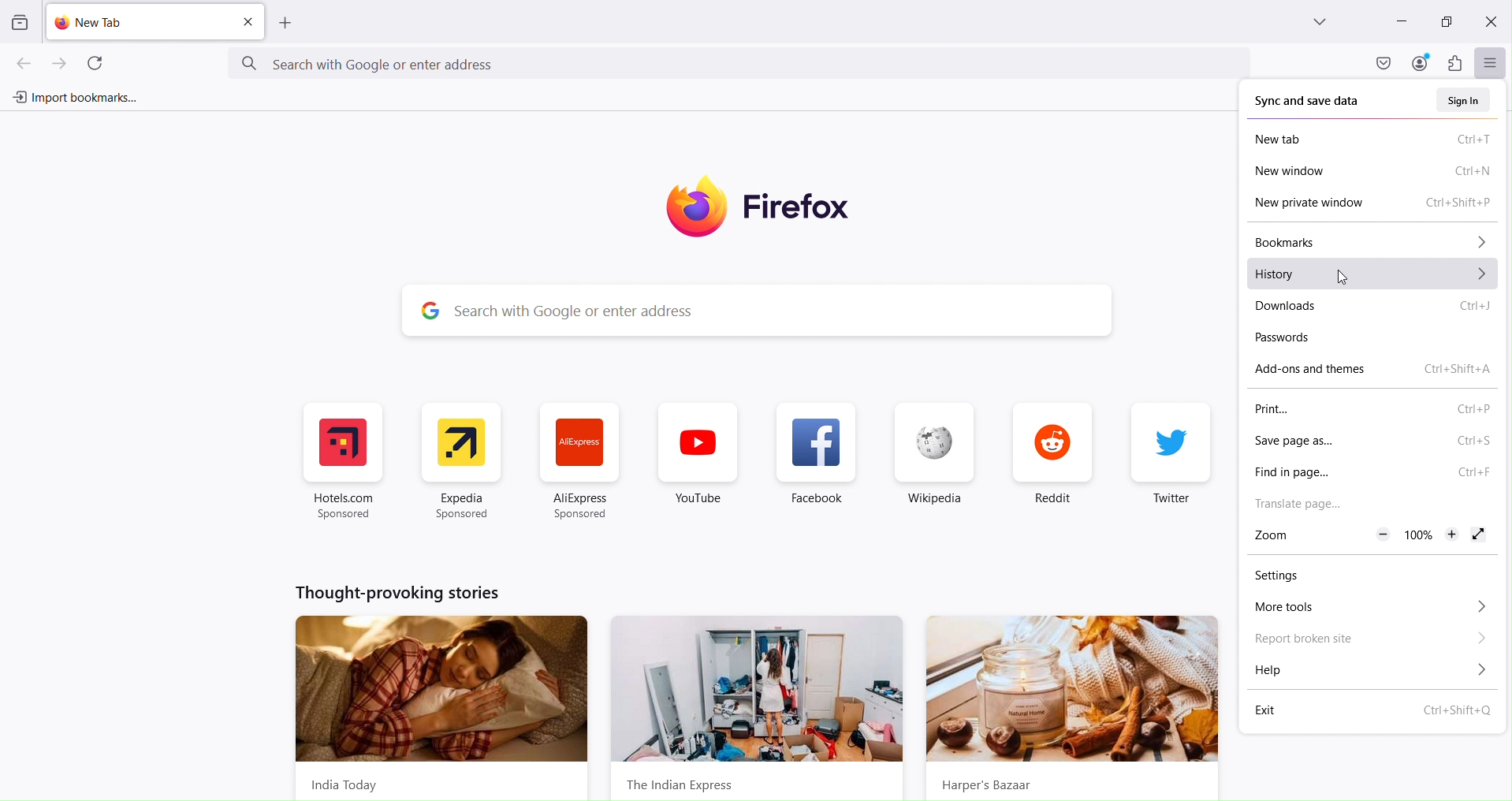 The image size is (1512, 801). I want to click on List all tabs, so click(1322, 22).